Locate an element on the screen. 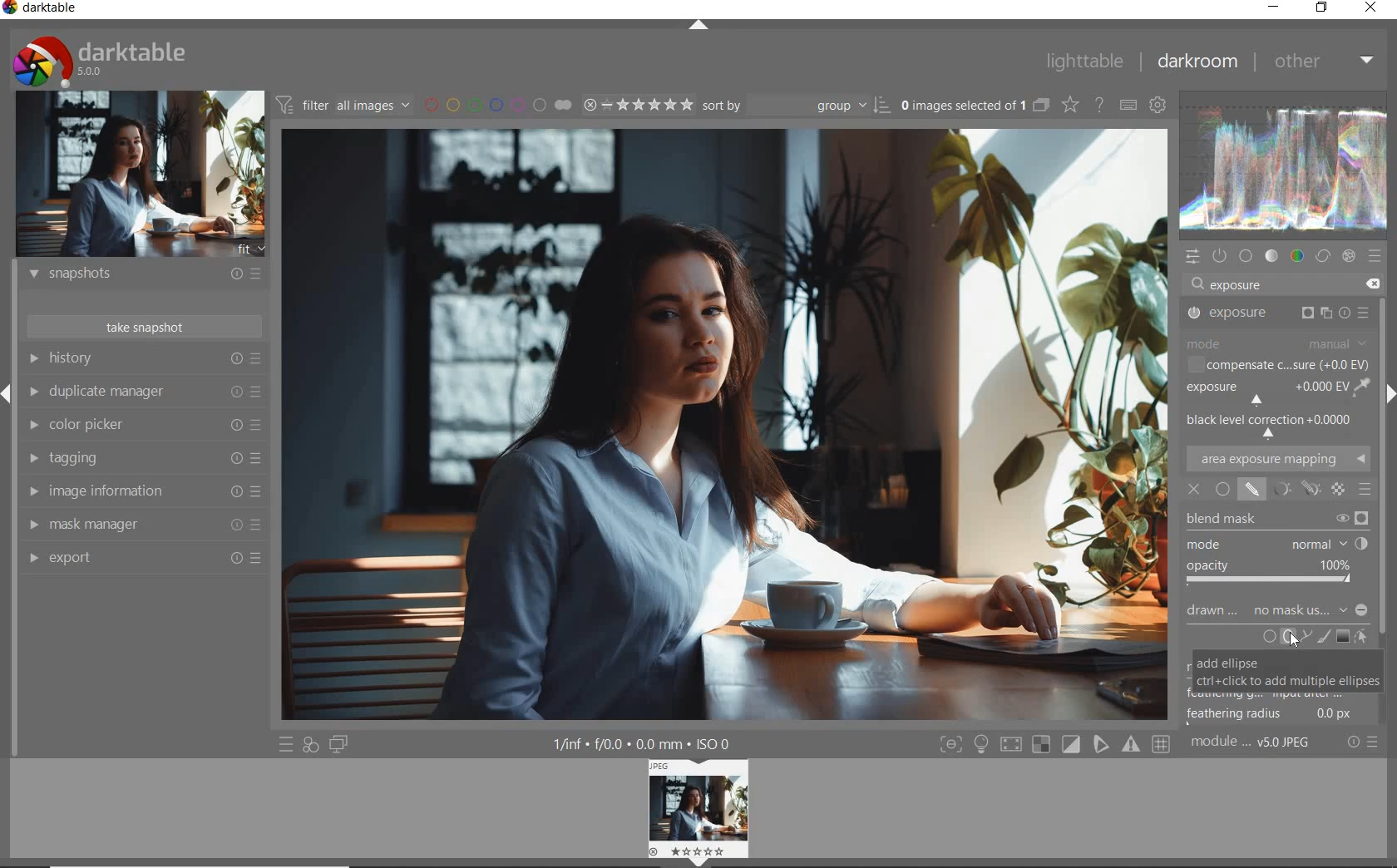 The image size is (1397, 868). ADD PATH is located at coordinates (1303, 638).